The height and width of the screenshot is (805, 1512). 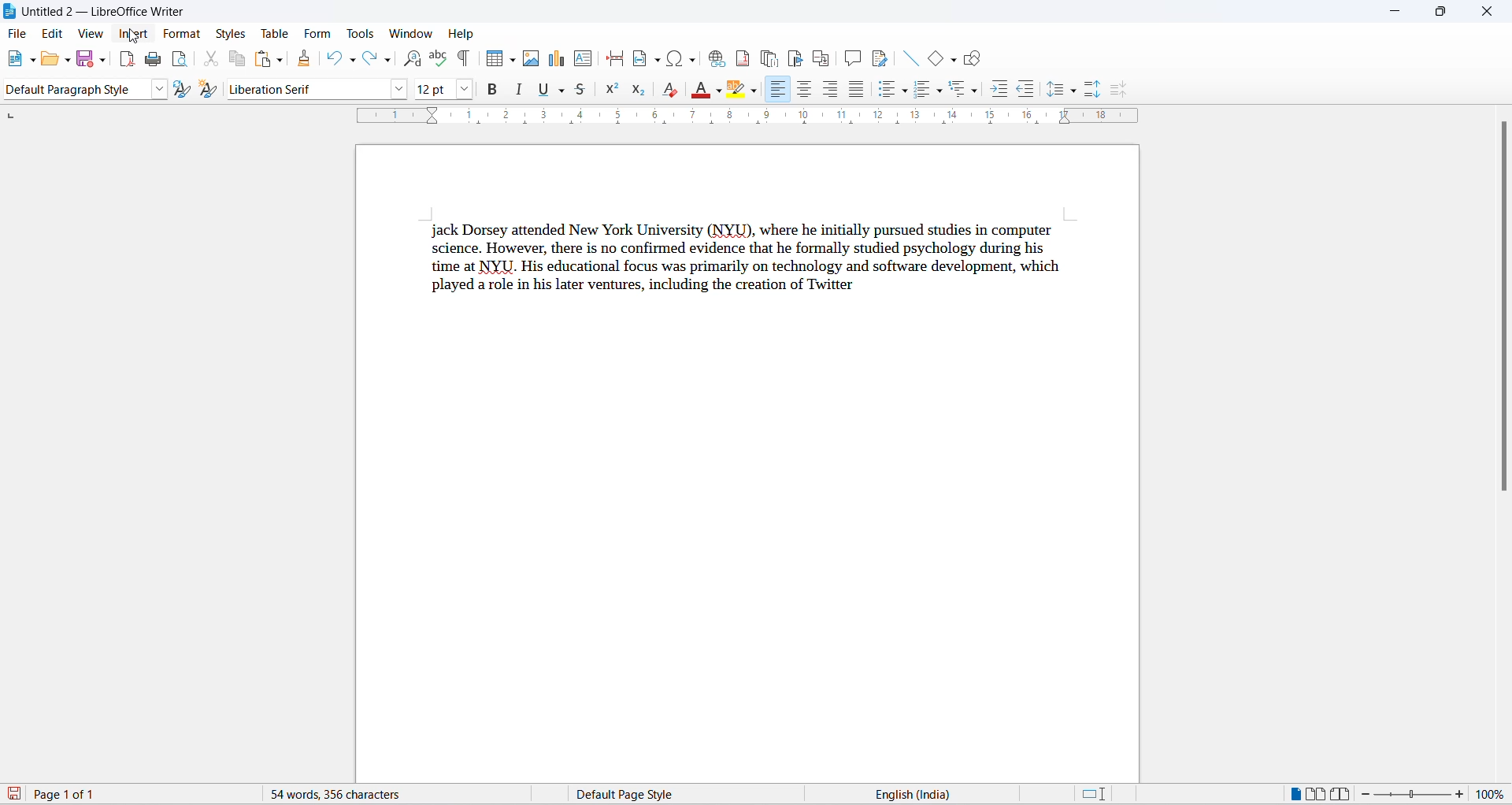 I want to click on insert comments, so click(x=852, y=57).